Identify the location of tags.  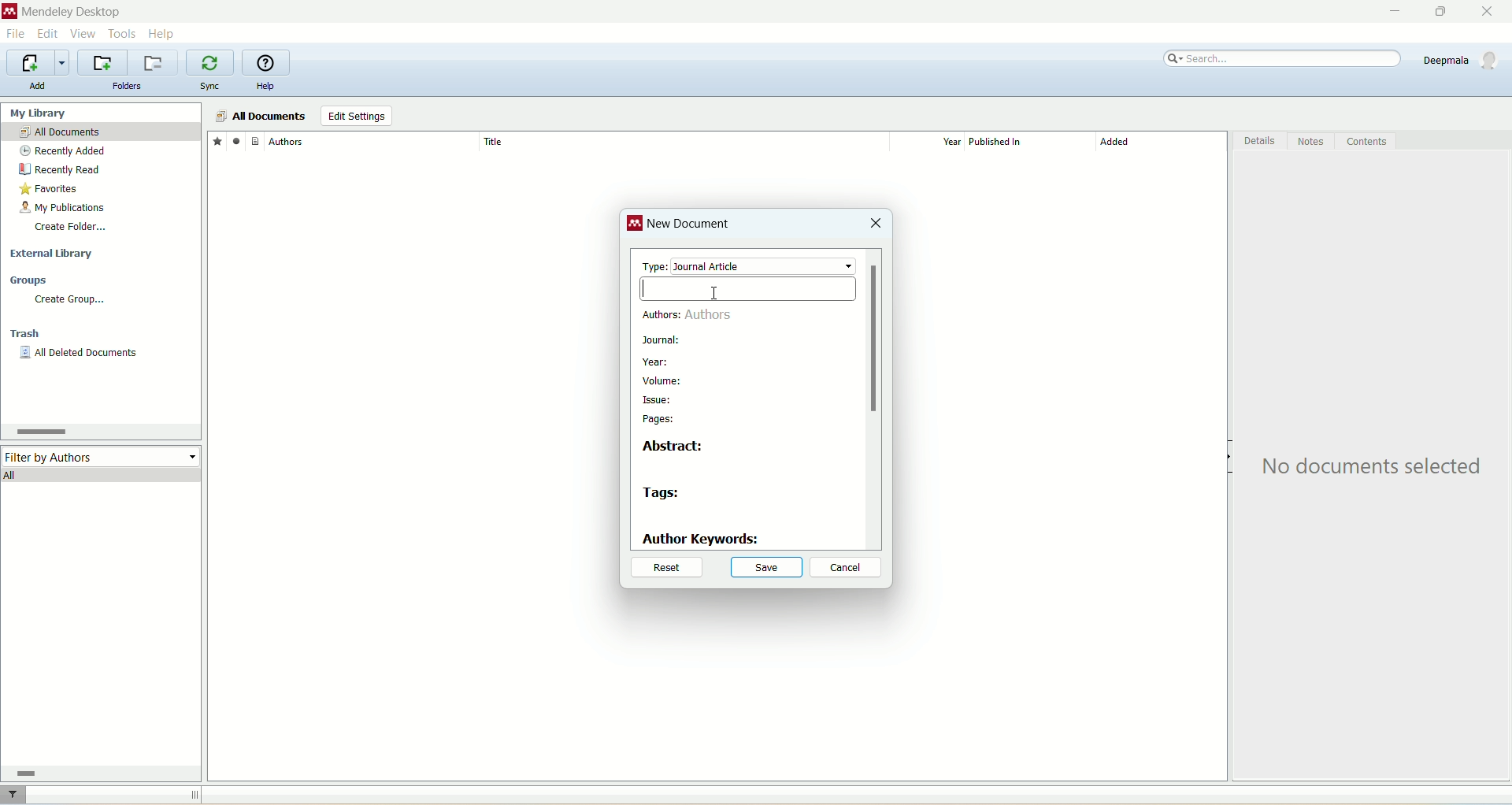
(663, 495).